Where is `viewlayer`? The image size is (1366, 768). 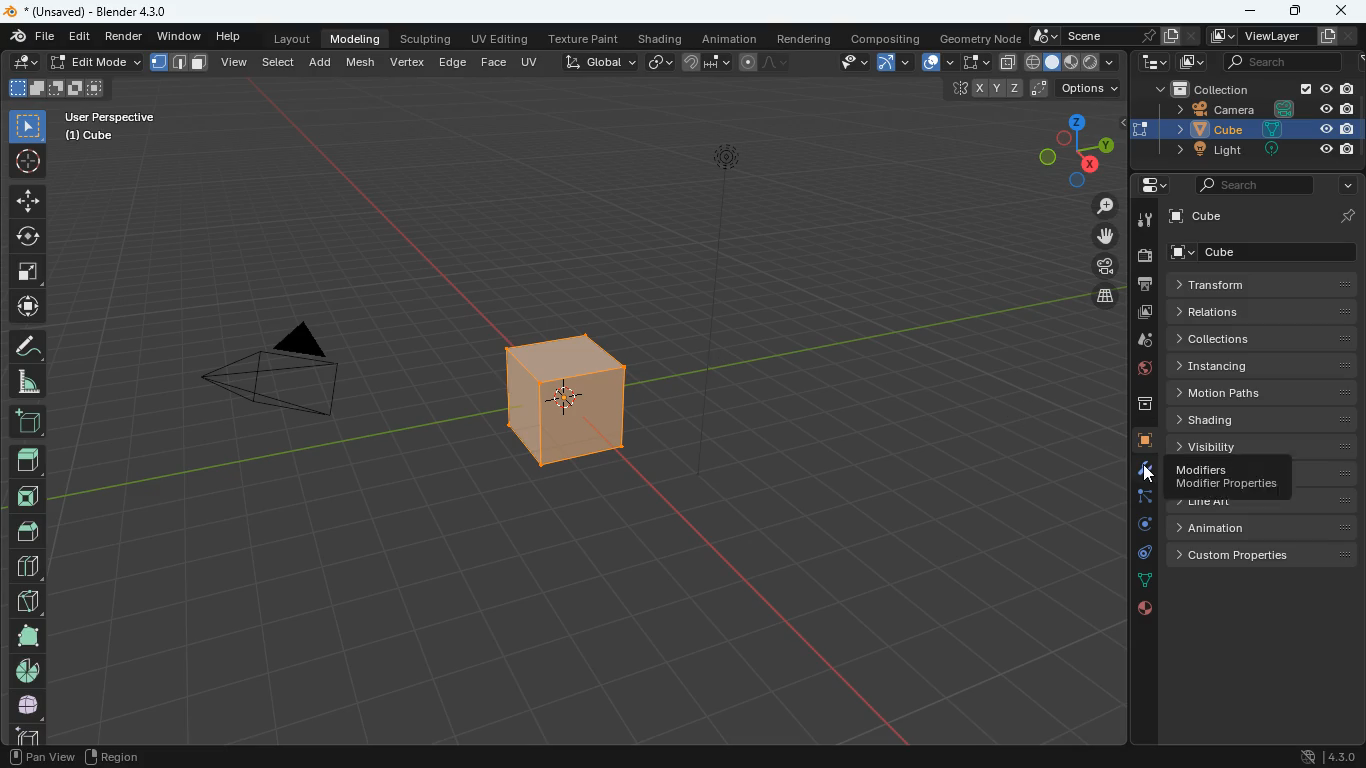
viewlayer is located at coordinates (1283, 37).